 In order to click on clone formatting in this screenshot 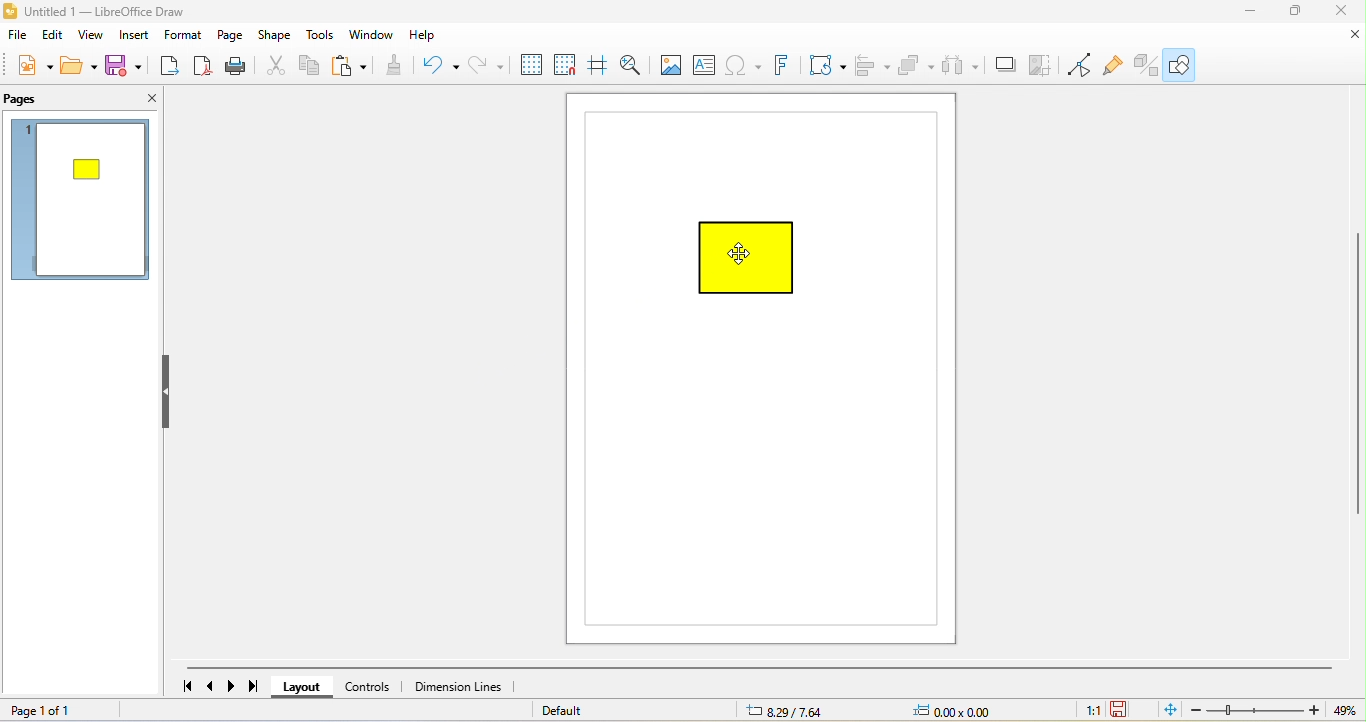, I will do `click(393, 68)`.